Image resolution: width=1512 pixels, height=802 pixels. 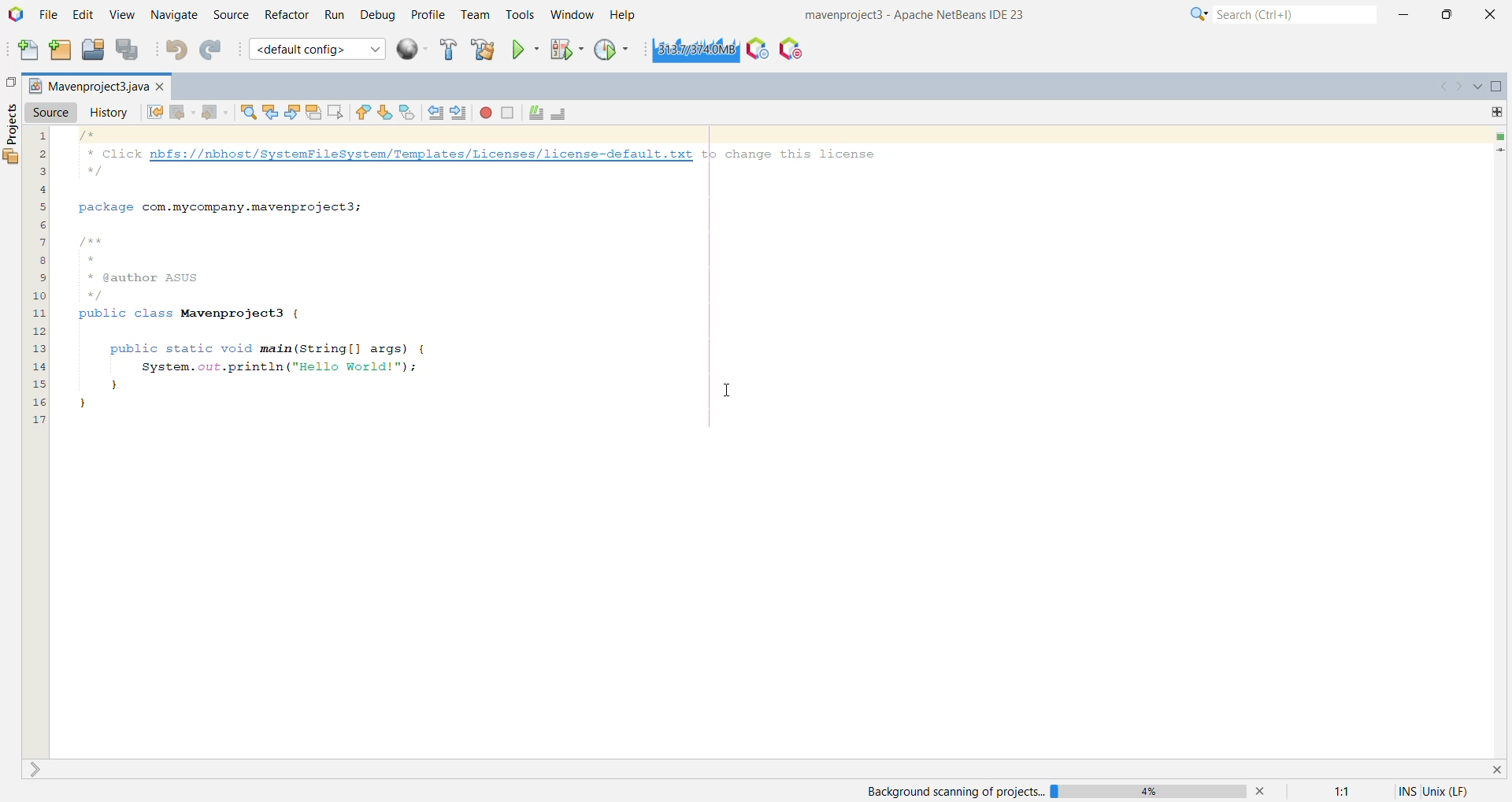 I want to click on Shift Line Left, so click(x=437, y=113).